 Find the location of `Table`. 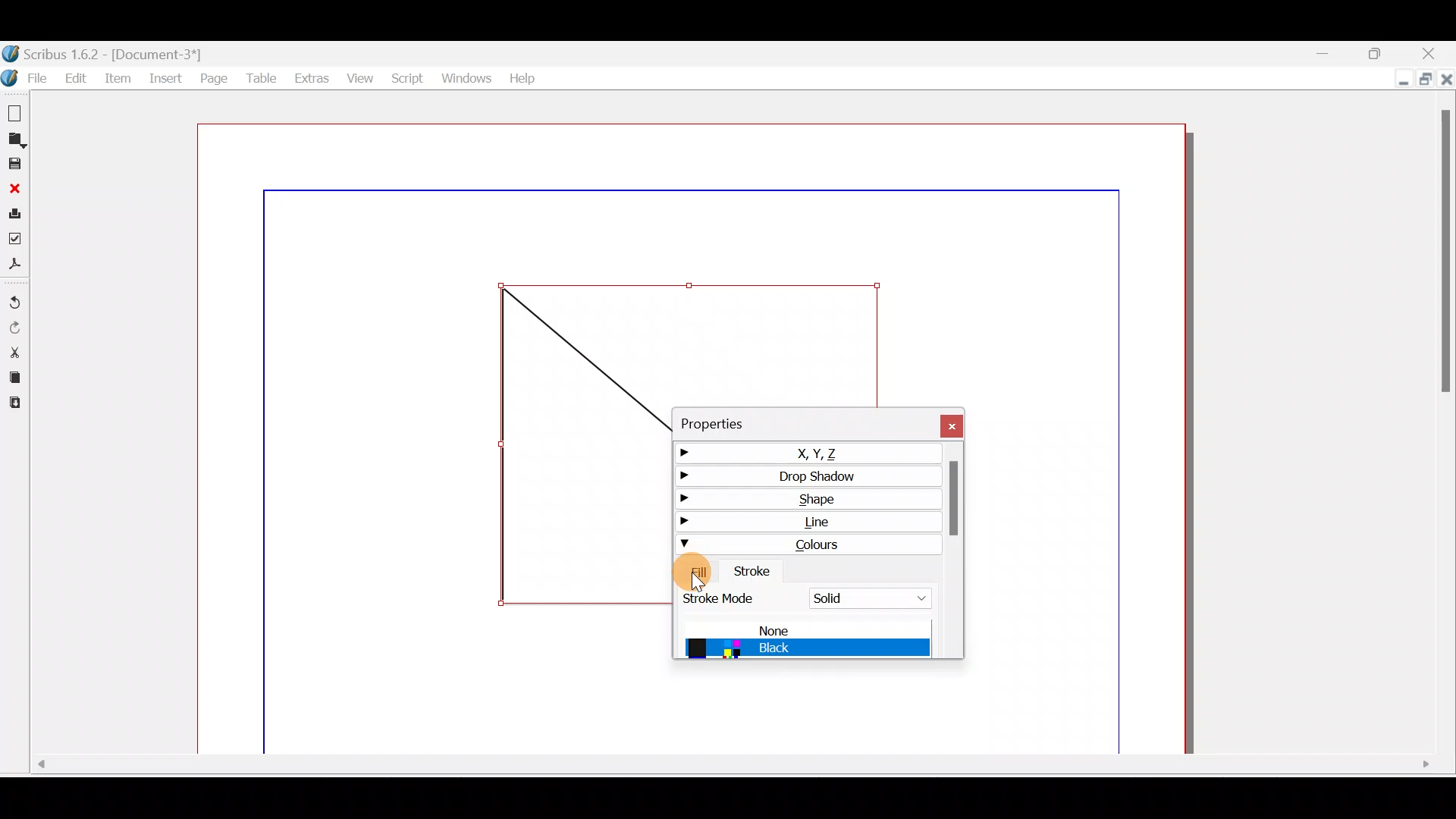

Table is located at coordinates (259, 77).